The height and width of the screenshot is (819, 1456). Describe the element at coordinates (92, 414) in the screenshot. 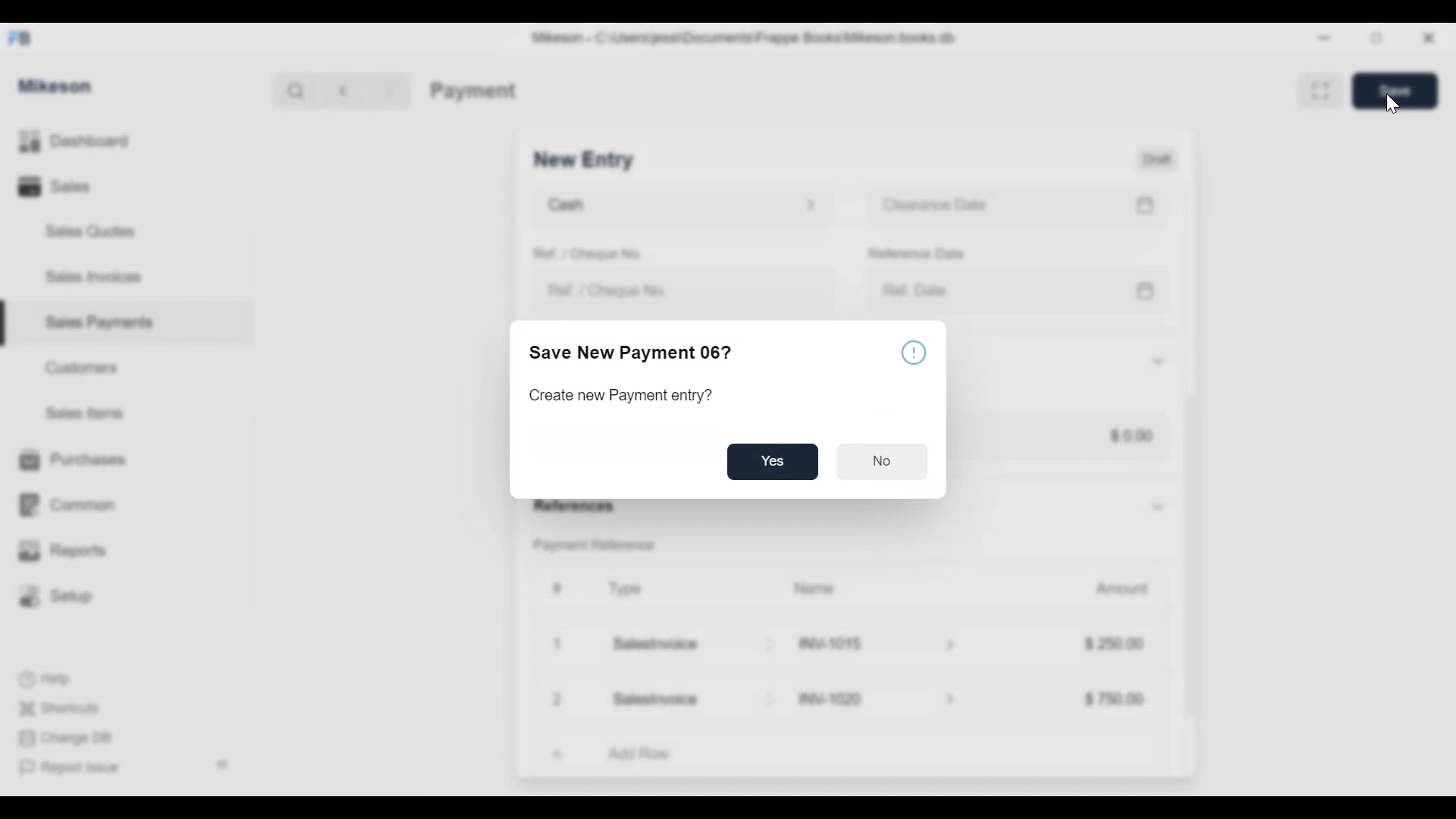

I see `Sales Items` at that location.